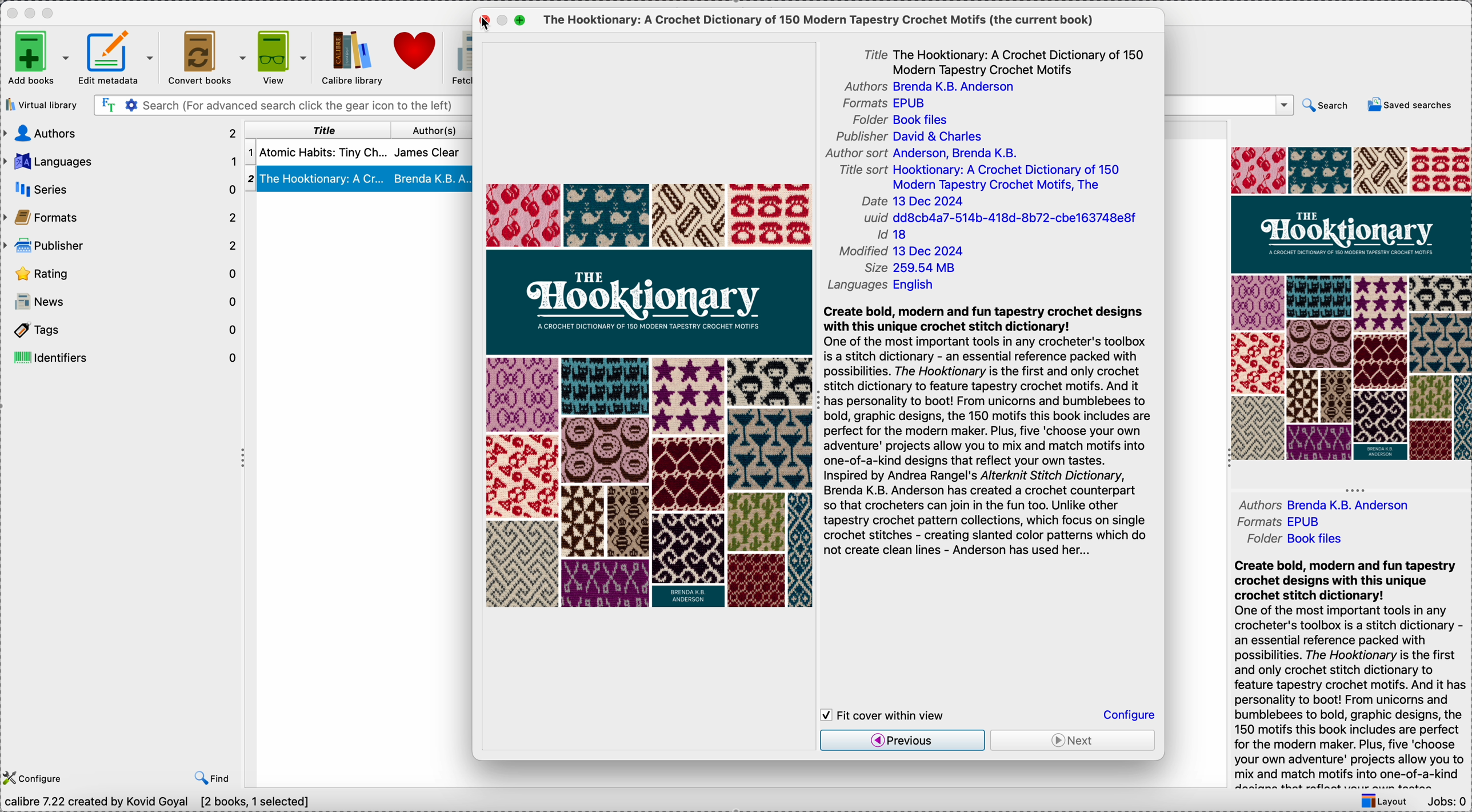 This screenshot has height=812, width=1472. Describe the element at coordinates (1326, 106) in the screenshot. I see `search` at that location.